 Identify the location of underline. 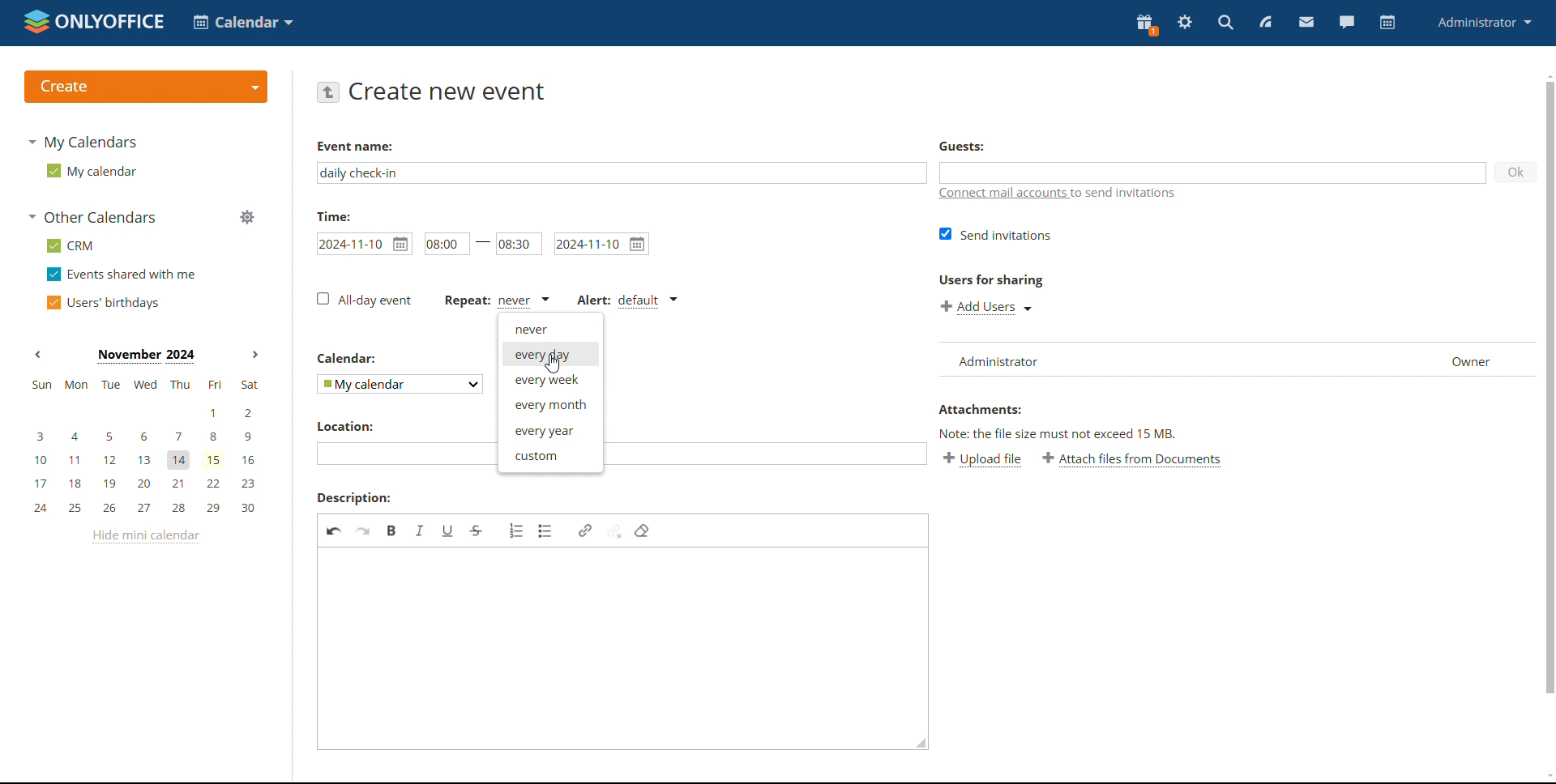
(448, 530).